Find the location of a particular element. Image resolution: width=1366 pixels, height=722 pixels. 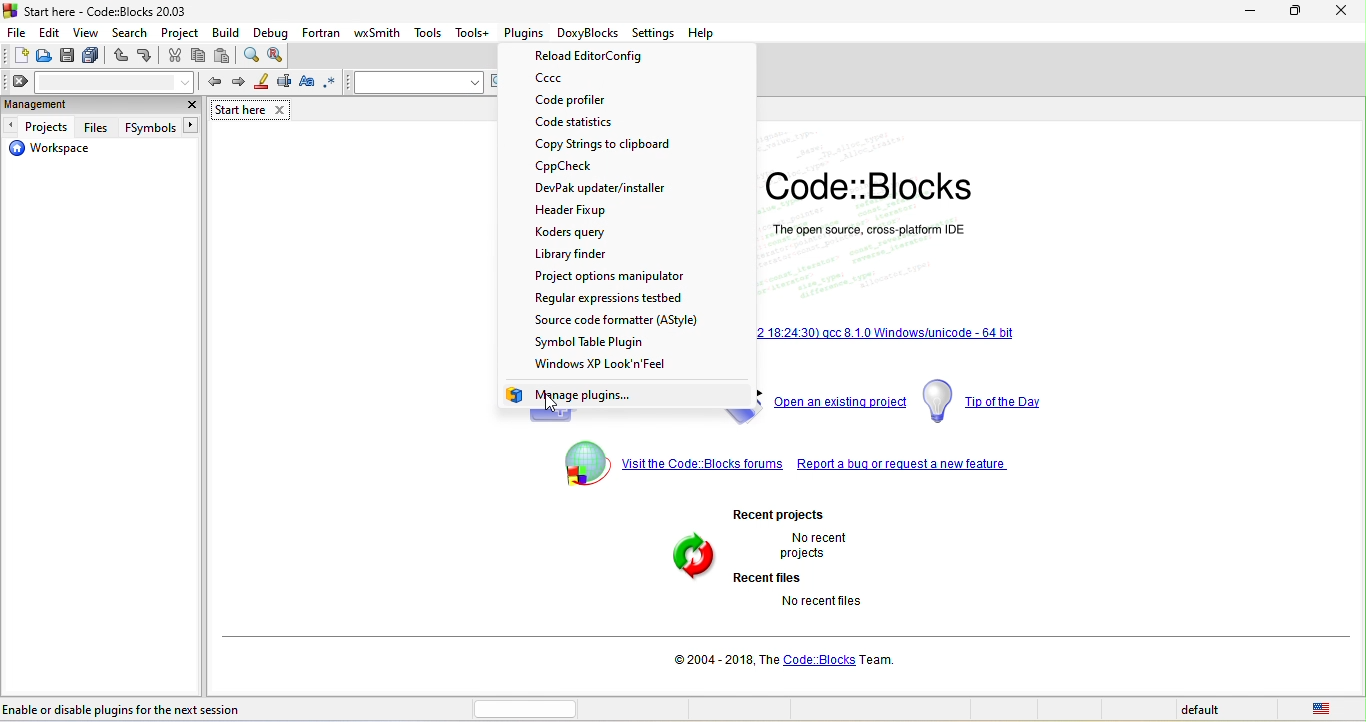

minimize is located at coordinates (1295, 14).